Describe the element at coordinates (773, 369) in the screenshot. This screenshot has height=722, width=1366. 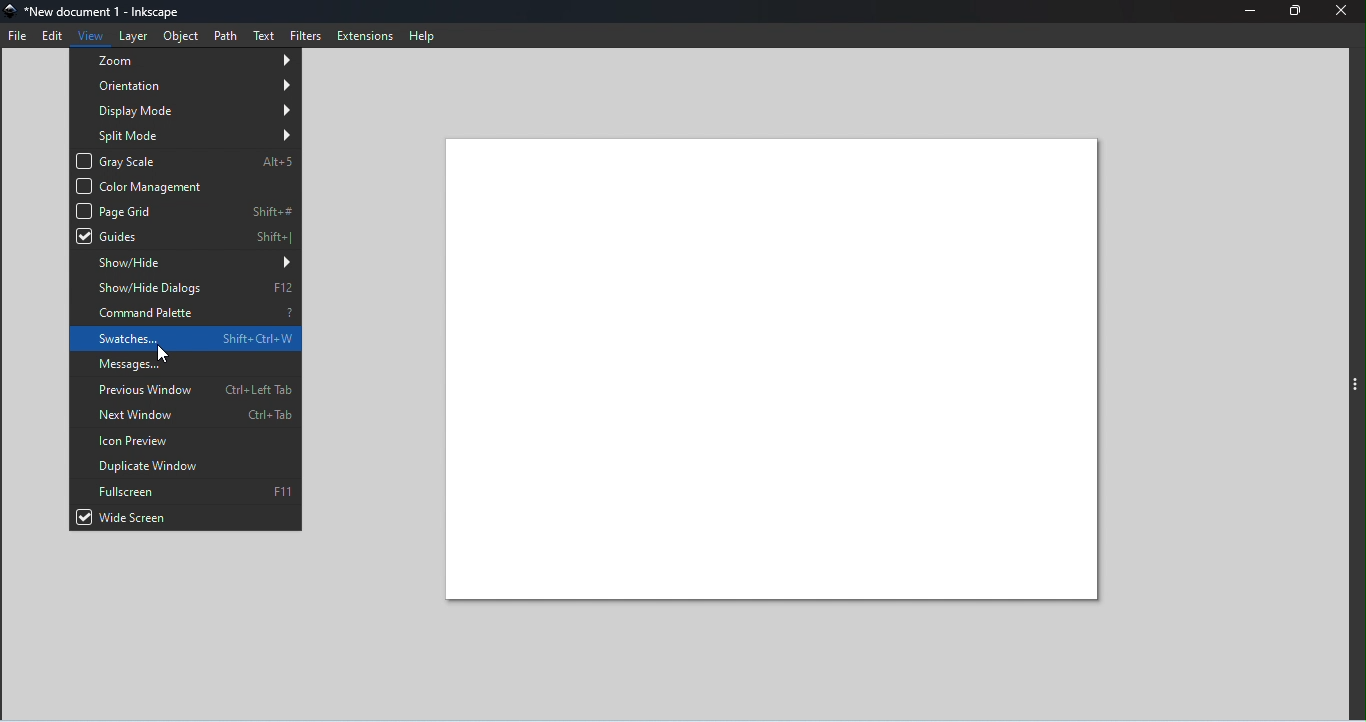
I see `Canvas` at that location.